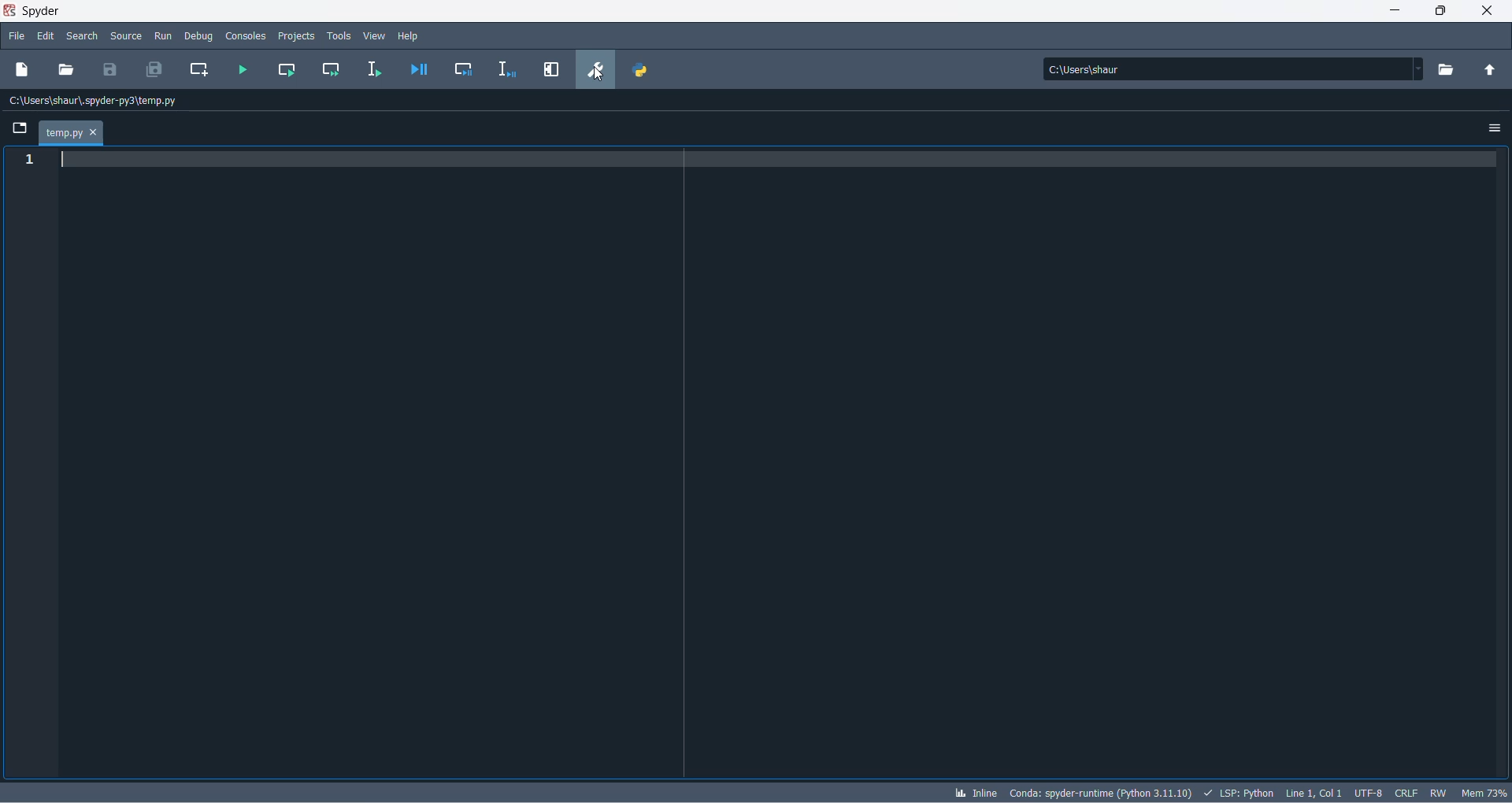 This screenshot has width=1512, height=803. What do you see at coordinates (339, 35) in the screenshot?
I see `tools` at bounding box center [339, 35].